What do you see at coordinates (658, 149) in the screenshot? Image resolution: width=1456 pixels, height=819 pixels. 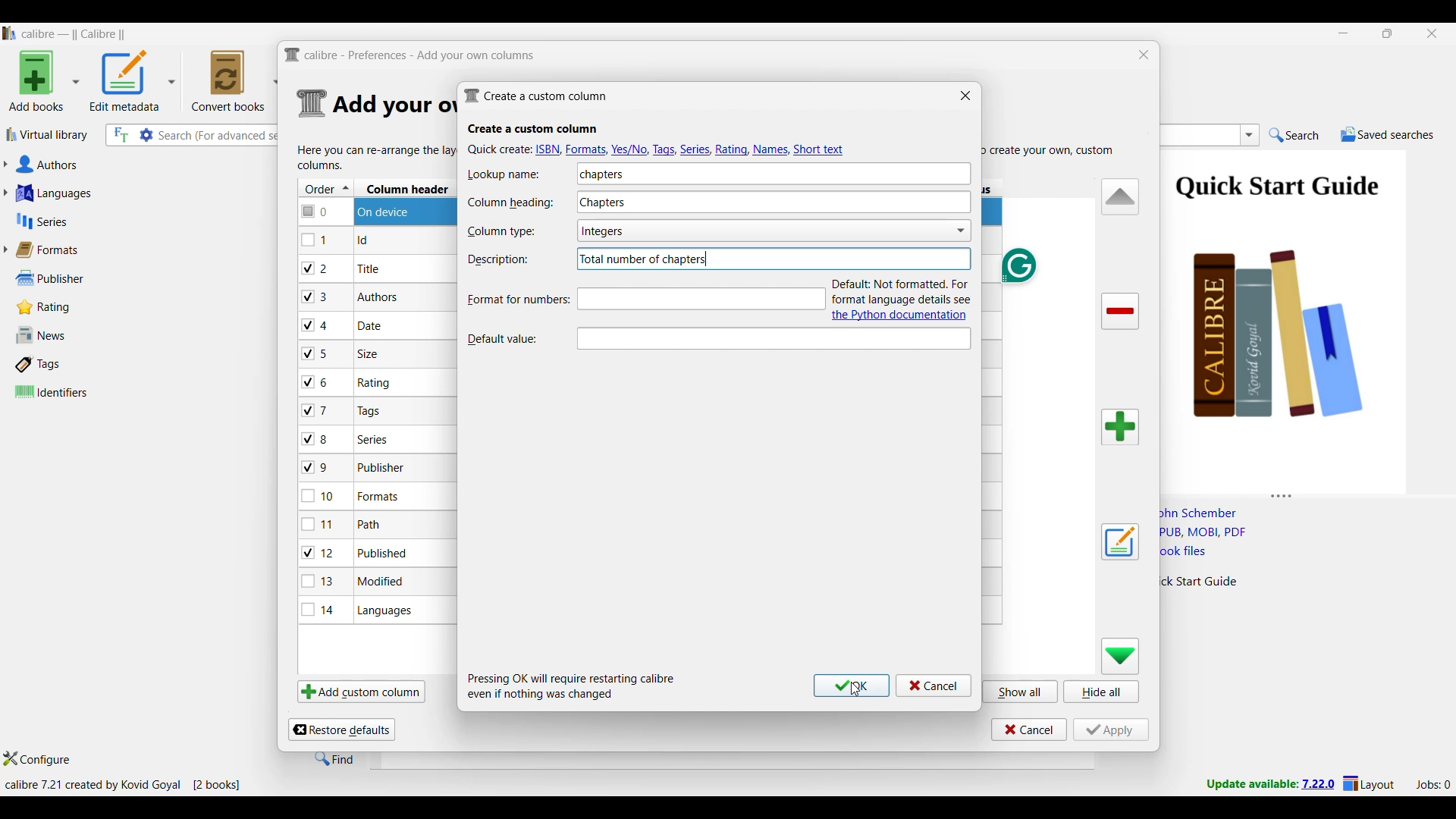 I see `Quick create options` at bounding box center [658, 149].